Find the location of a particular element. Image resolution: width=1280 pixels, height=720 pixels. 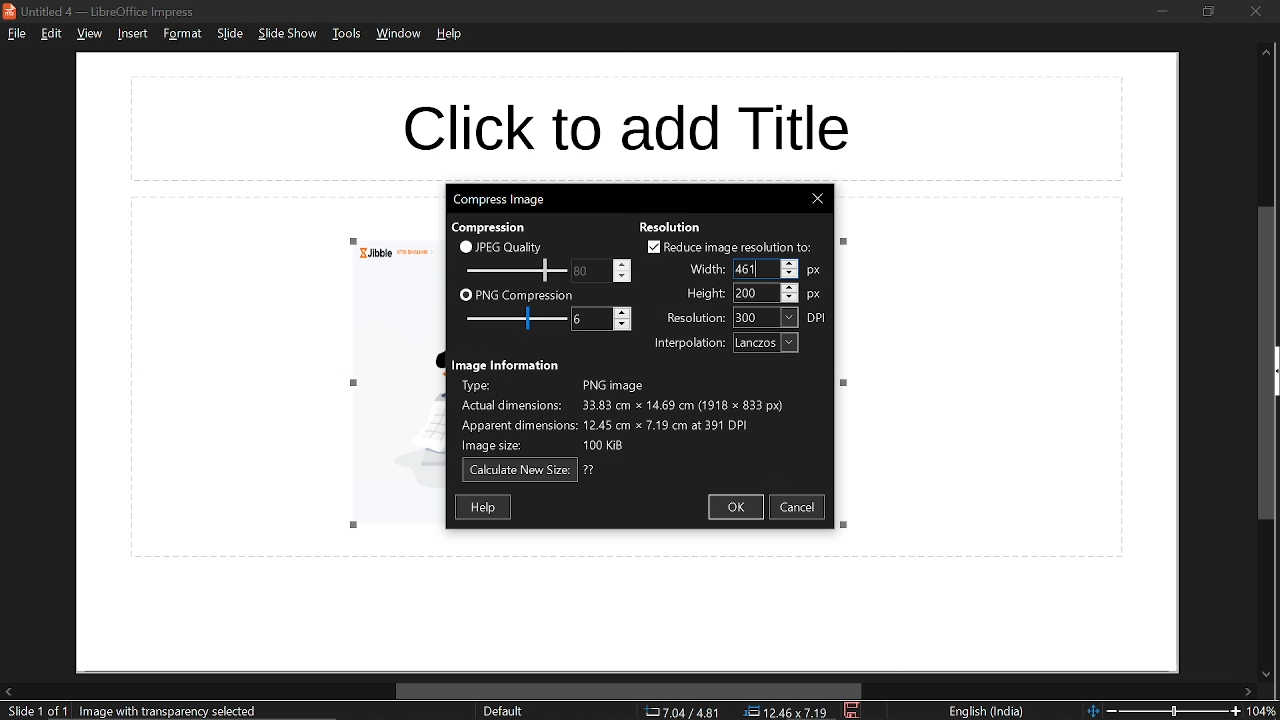

change PNG compression is located at coordinates (582, 318).